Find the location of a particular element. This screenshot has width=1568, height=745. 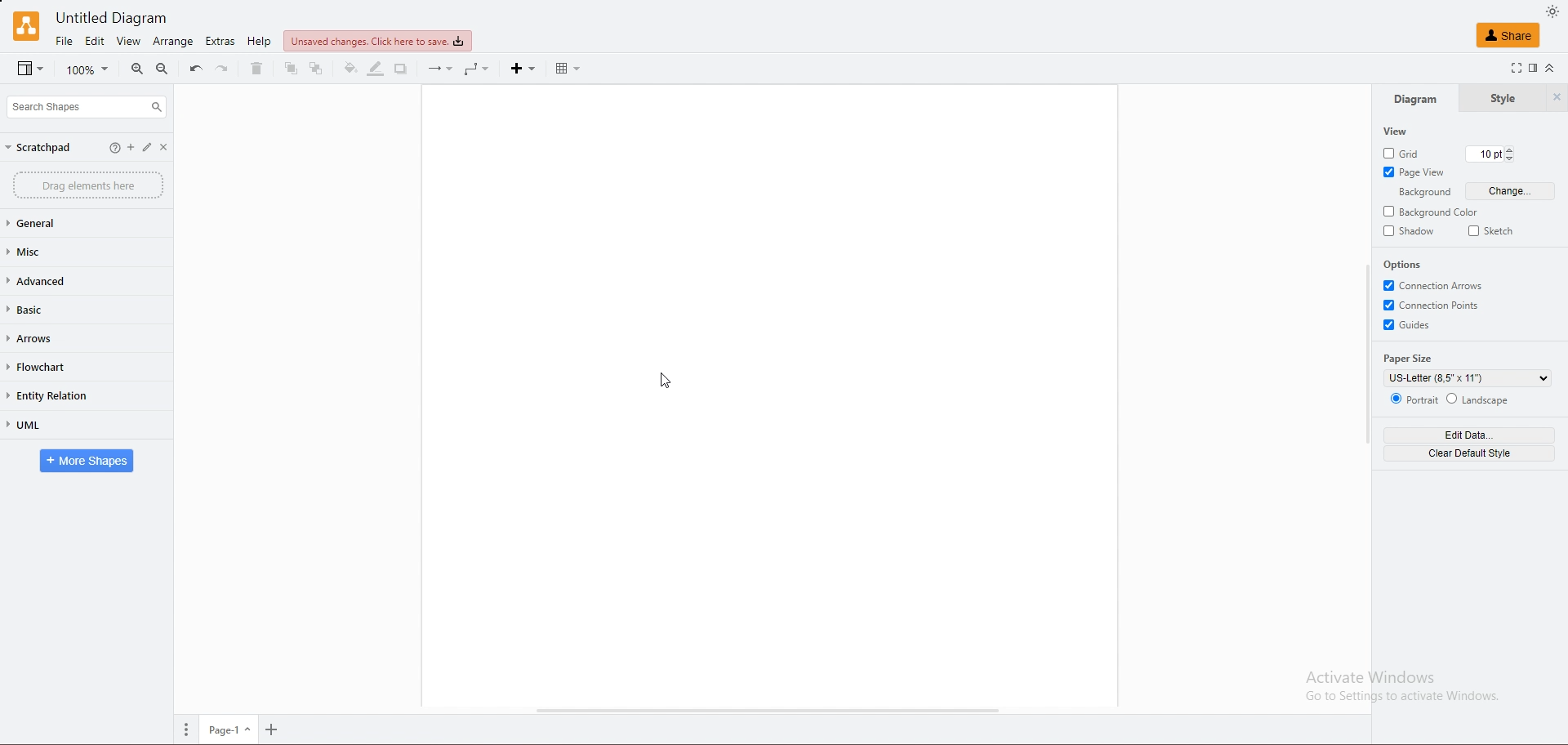

add is located at coordinates (128, 148).